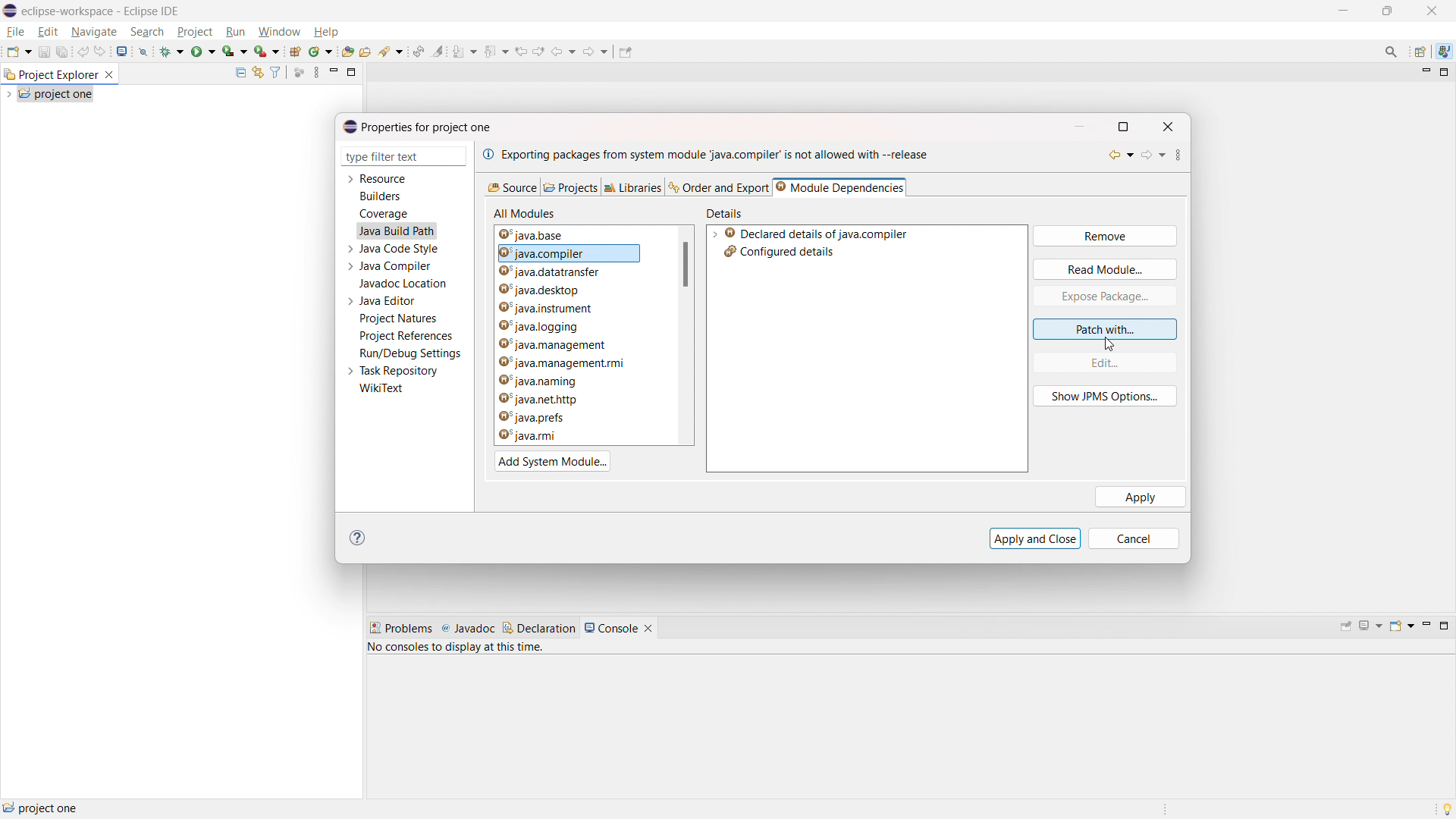  What do you see at coordinates (1105, 297) in the screenshot?
I see `expose package` at bounding box center [1105, 297].